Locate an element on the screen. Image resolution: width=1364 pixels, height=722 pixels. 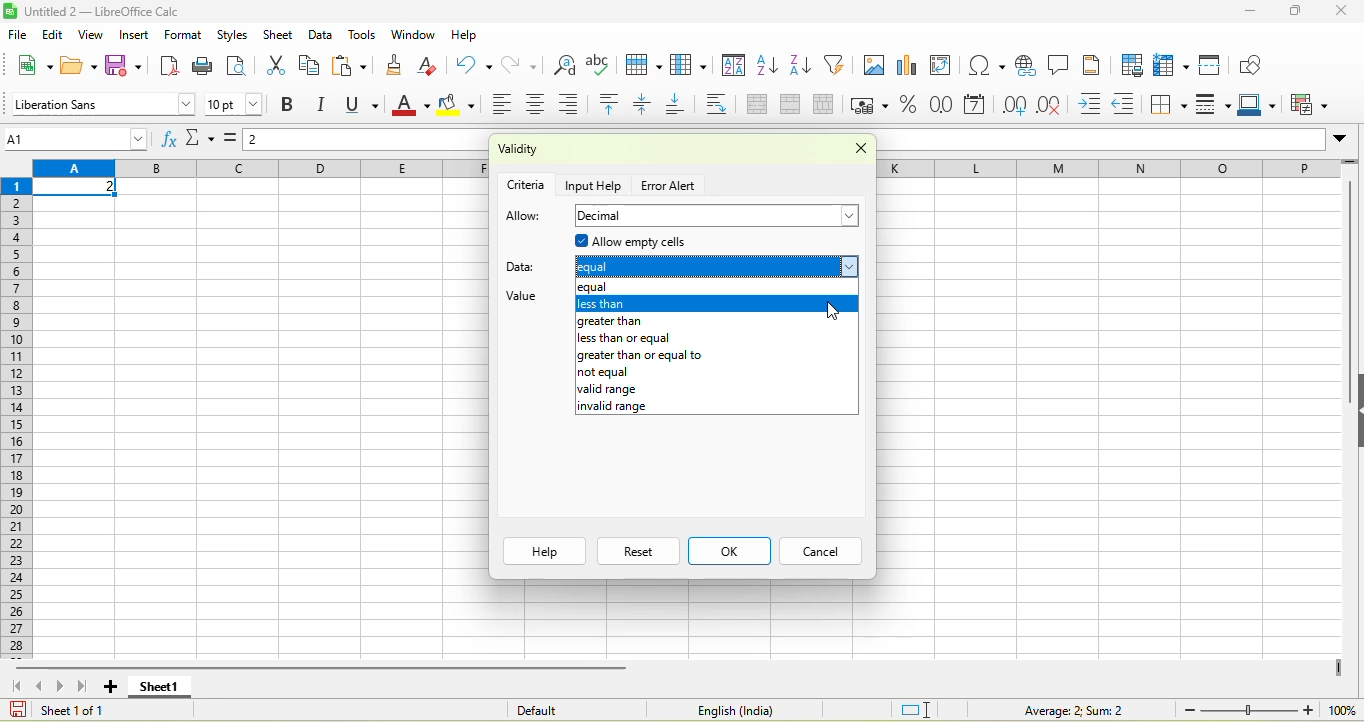
equal is located at coordinates (717, 267).